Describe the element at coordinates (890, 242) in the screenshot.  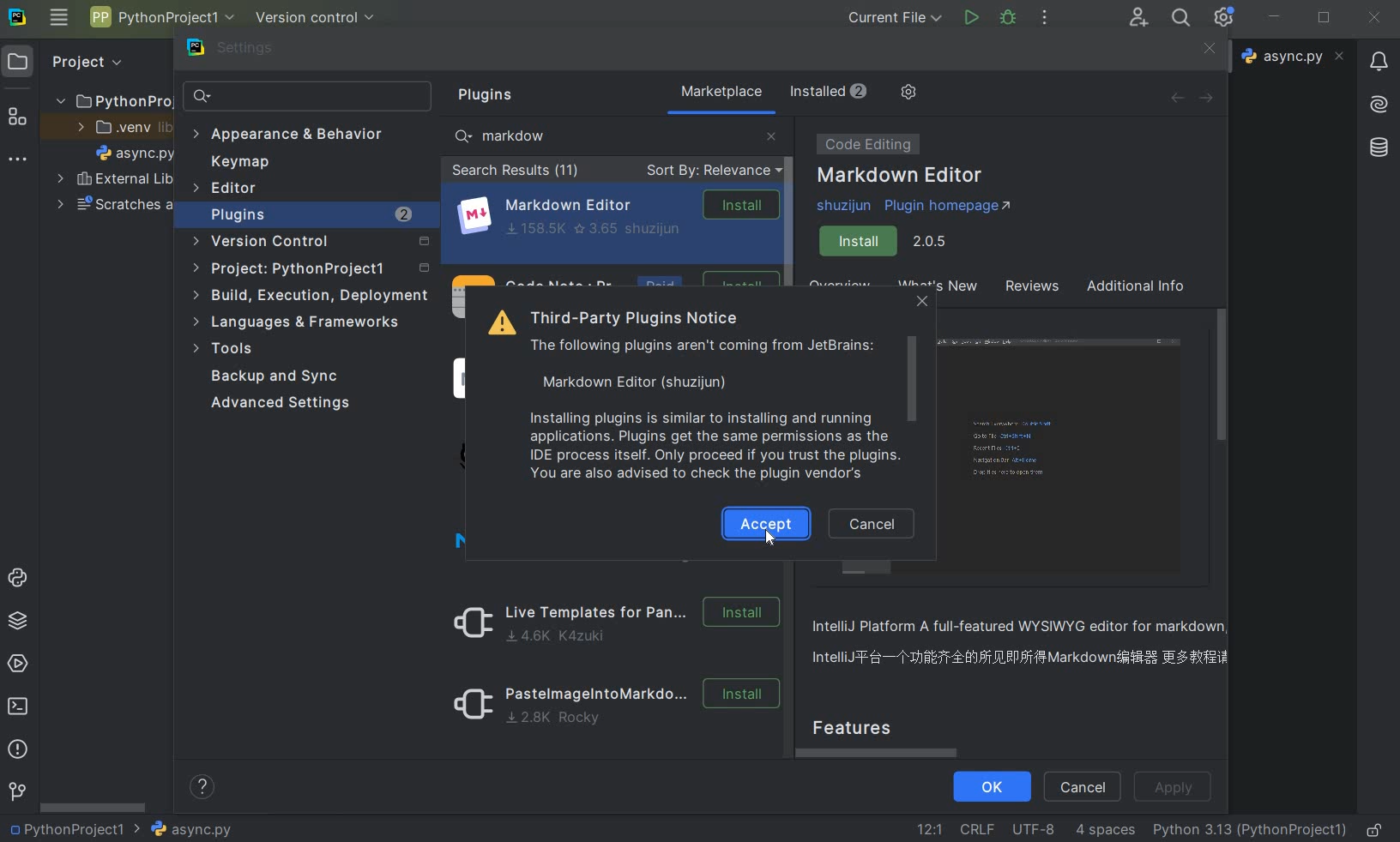
I see `install` at that location.